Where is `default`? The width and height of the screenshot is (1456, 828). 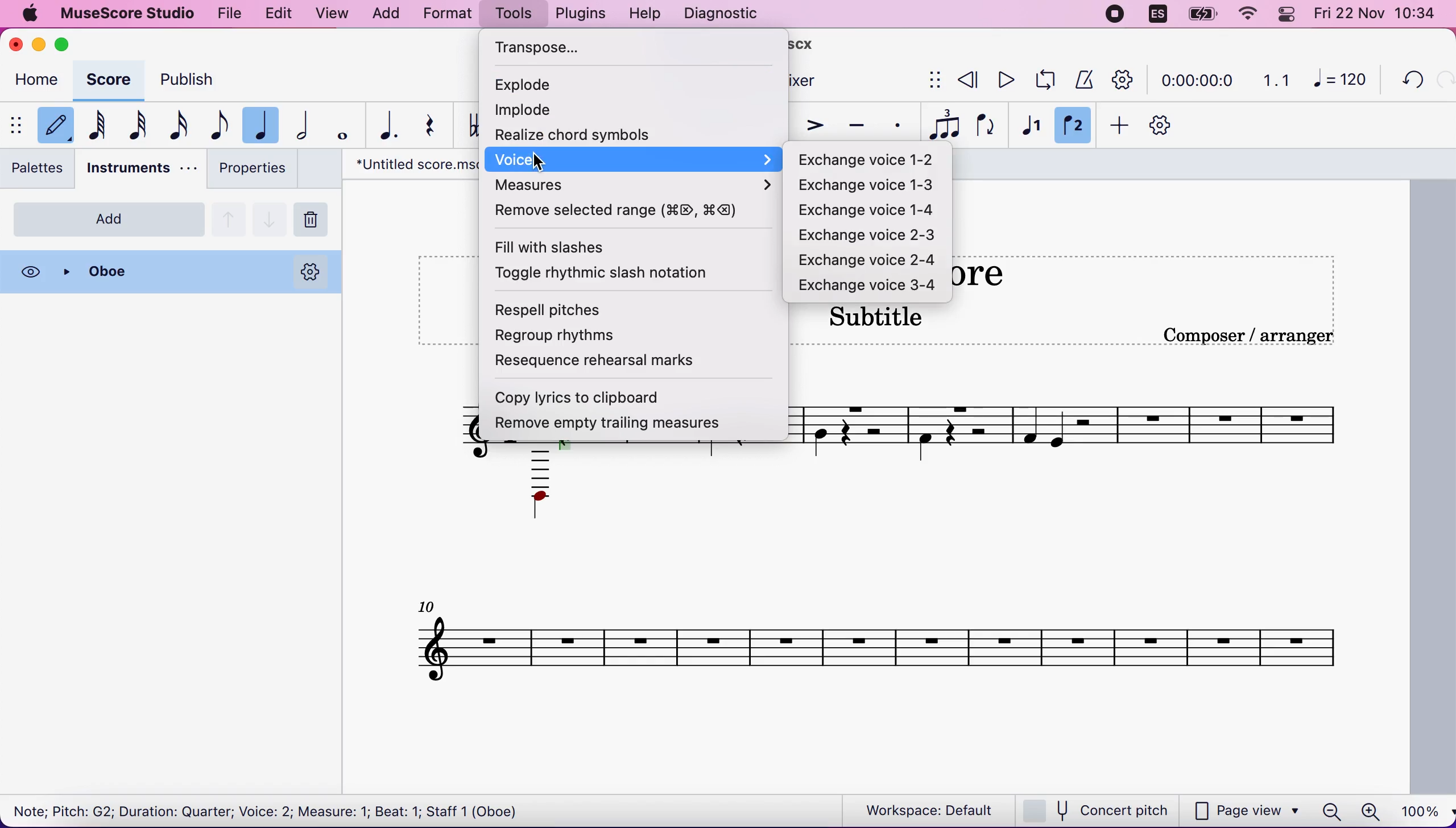
default is located at coordinates (56, 123).